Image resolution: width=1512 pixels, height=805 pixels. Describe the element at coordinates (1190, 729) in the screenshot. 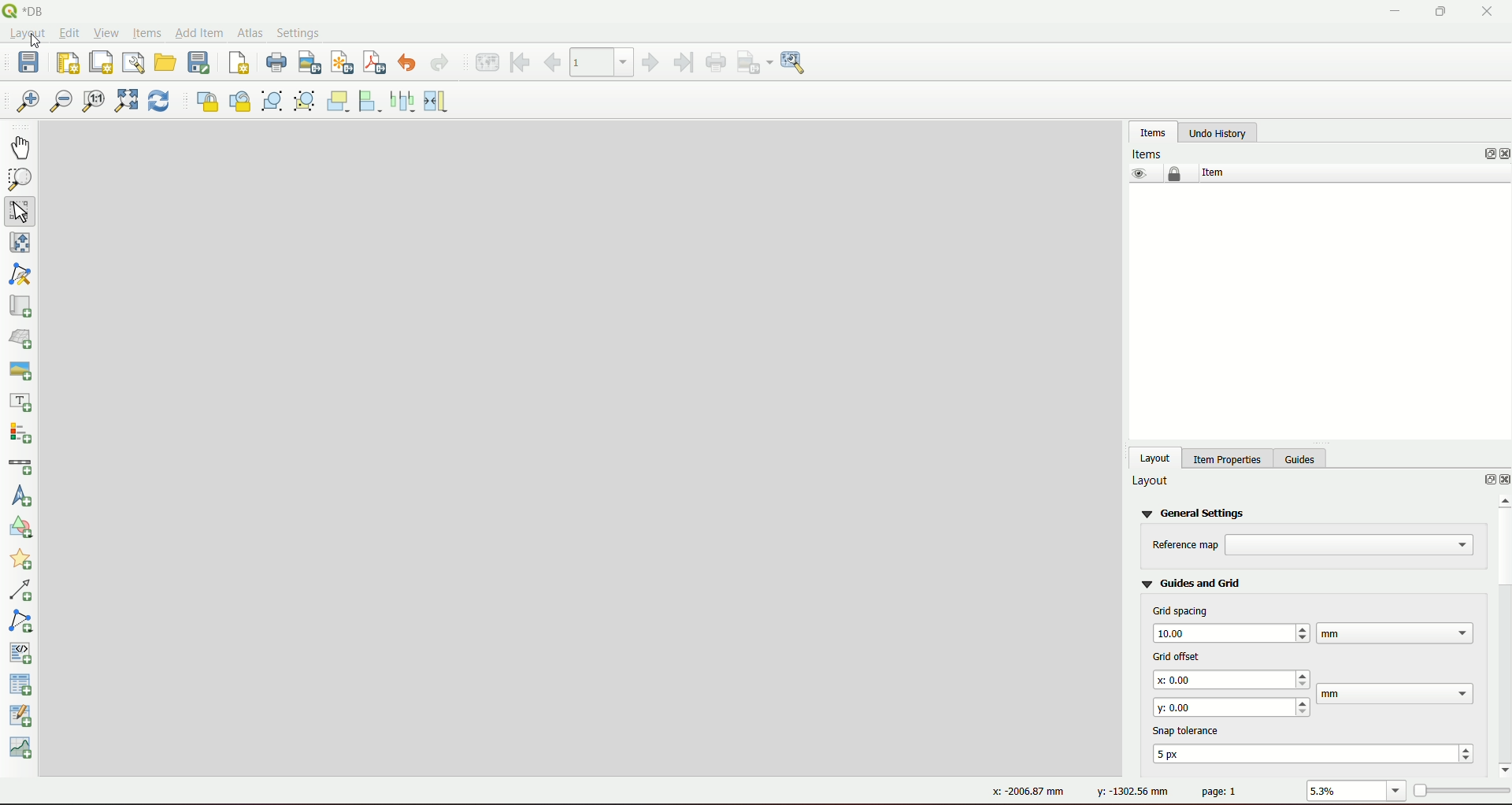

I see `snap tolerance` at that location.